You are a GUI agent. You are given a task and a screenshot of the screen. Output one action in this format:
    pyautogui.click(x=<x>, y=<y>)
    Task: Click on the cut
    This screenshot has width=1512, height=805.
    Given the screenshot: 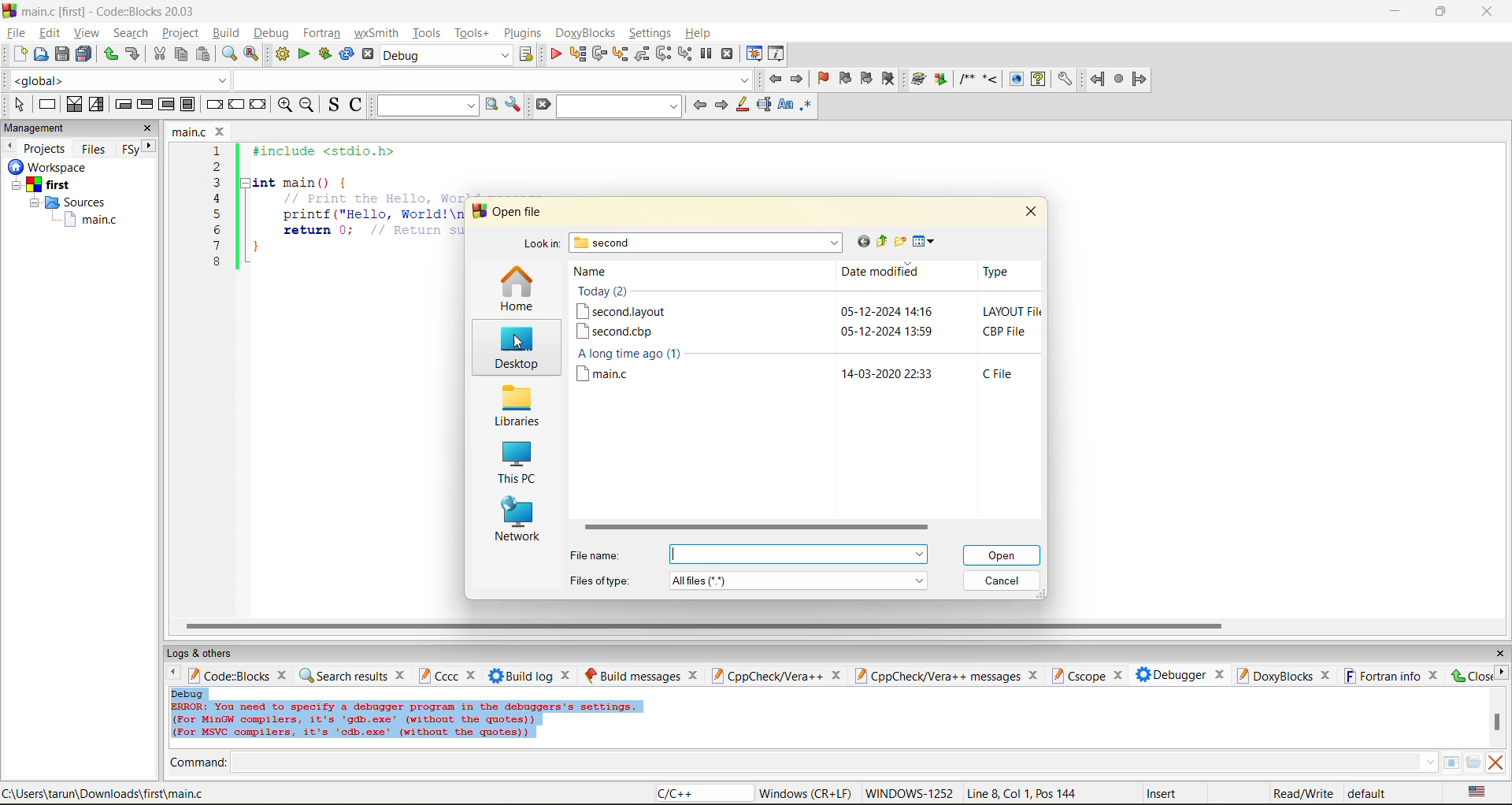 What is the action you would take?
    pyautogui.click(x=159, y=54)
    